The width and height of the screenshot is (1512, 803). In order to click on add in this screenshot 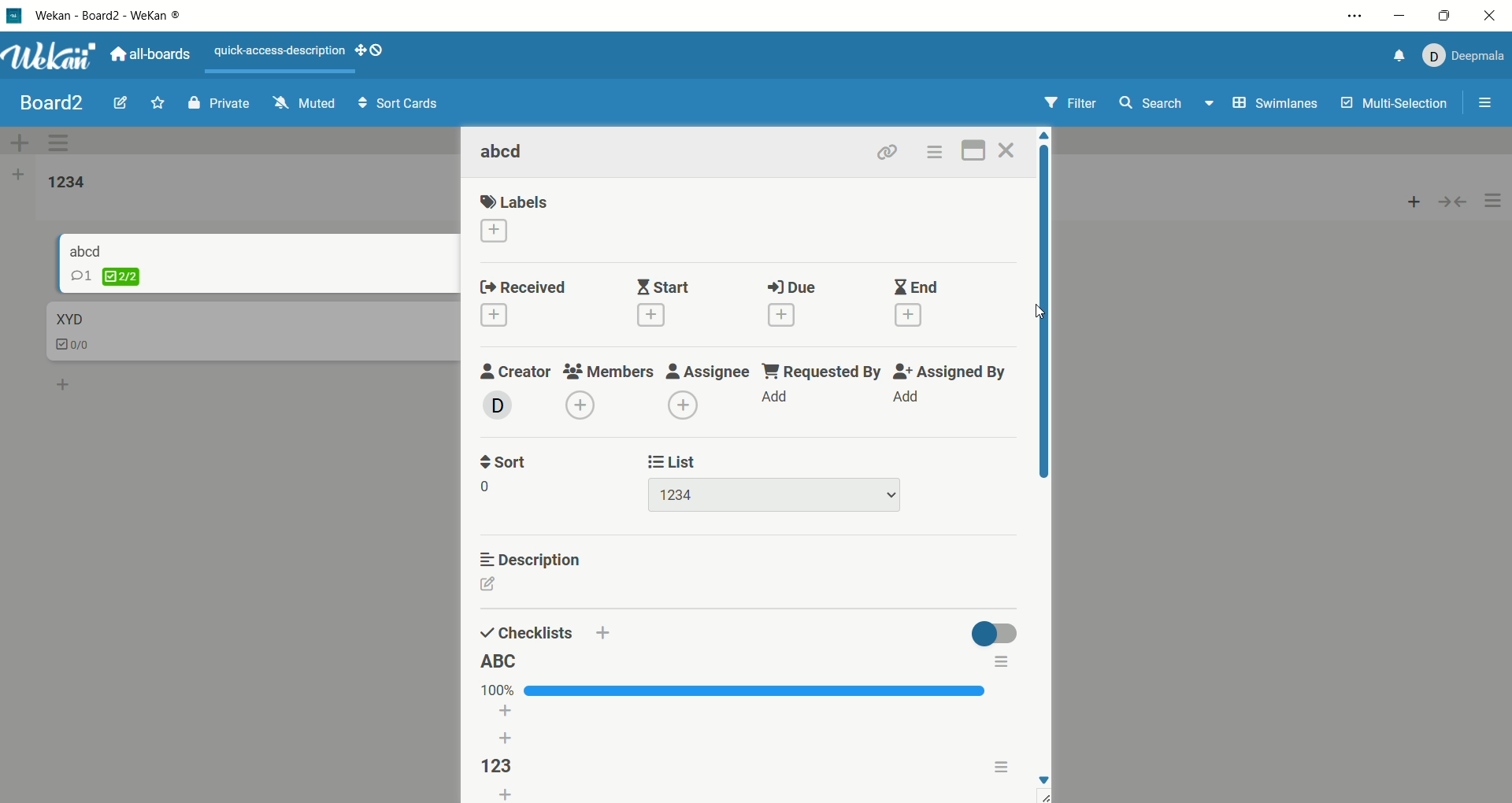, I will do `click(774, 394)`.